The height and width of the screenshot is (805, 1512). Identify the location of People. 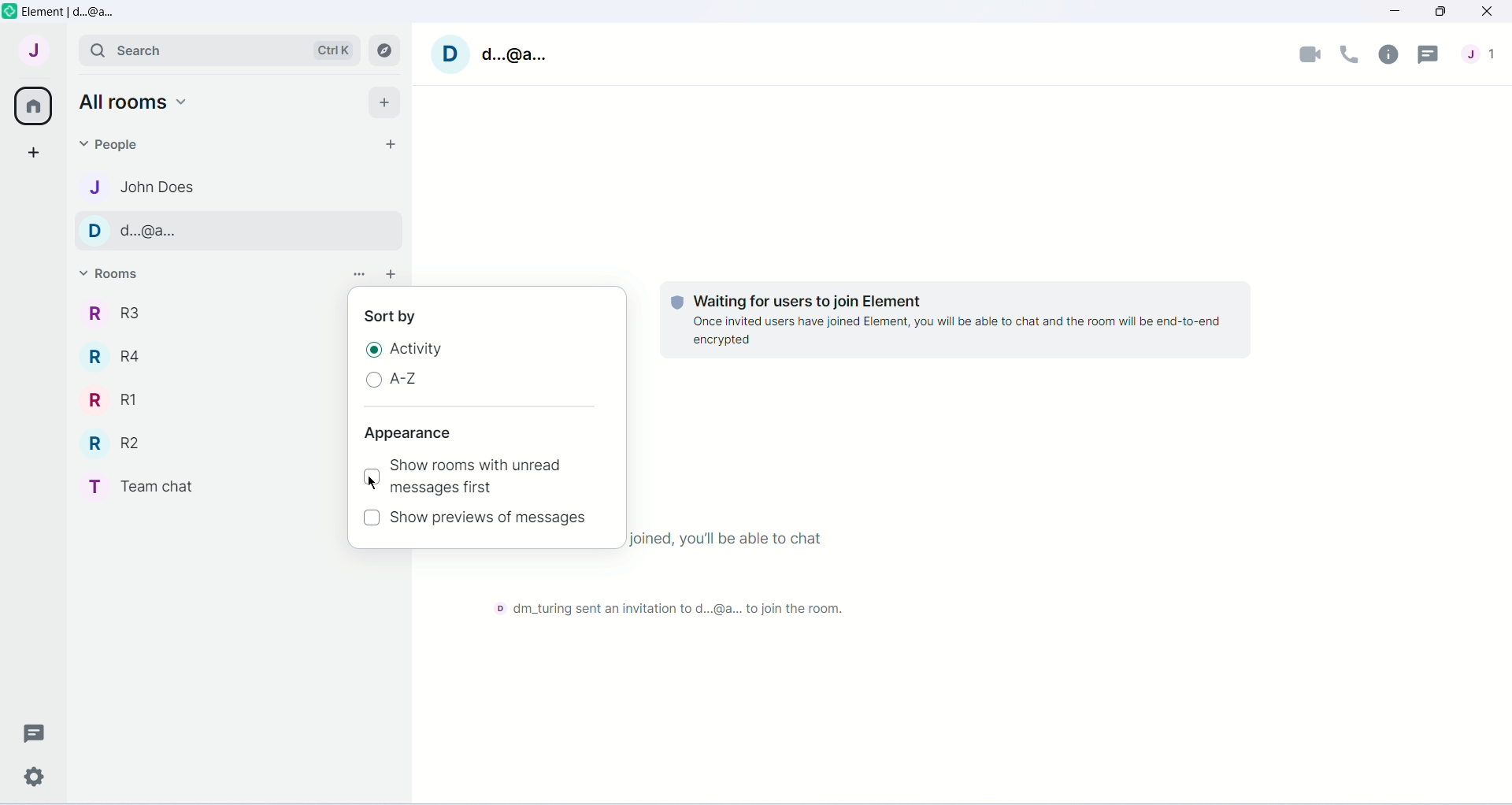
(117, 144).